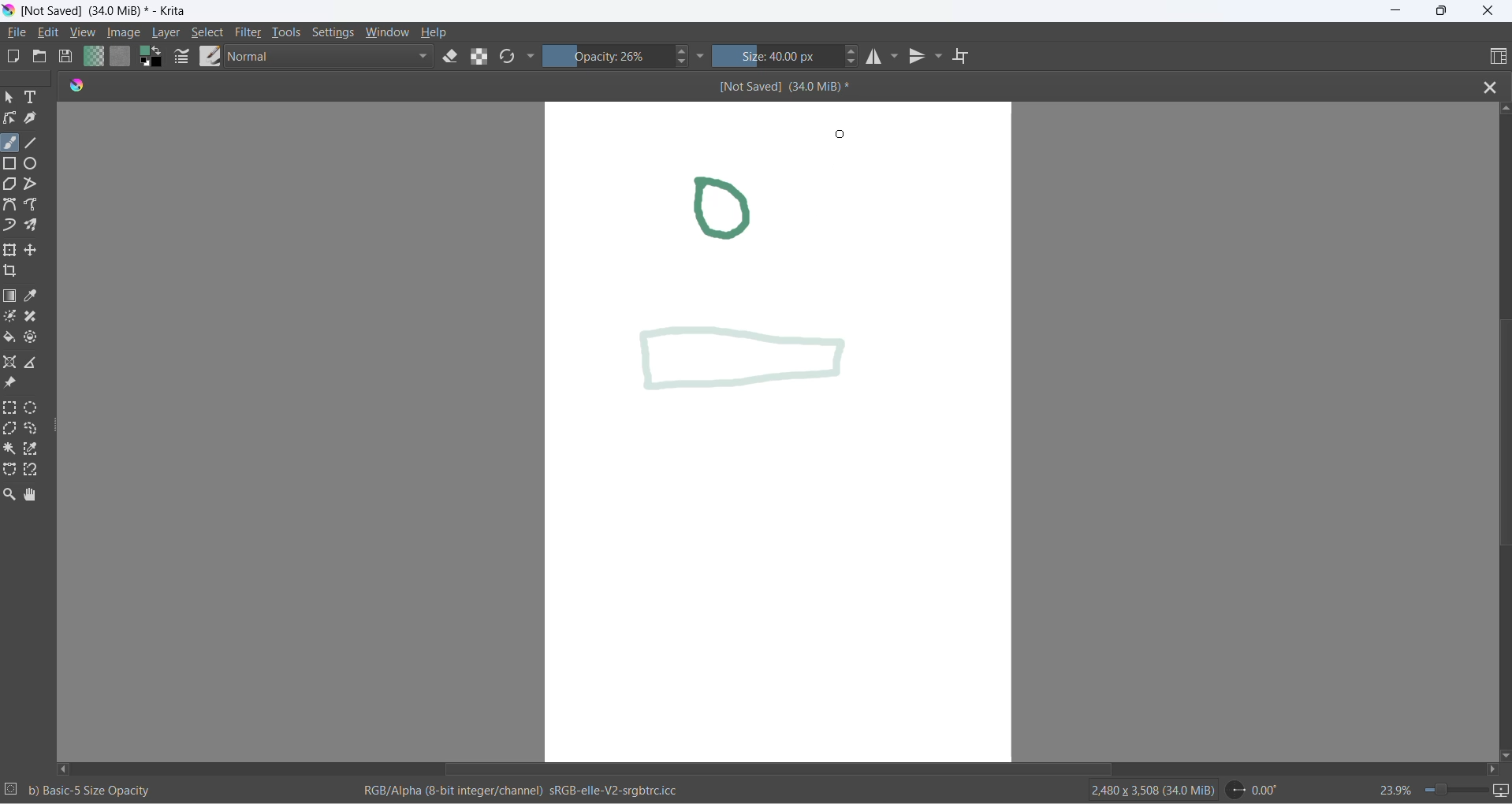 The height and width of the screenshot is (804, 1512). I want to click on Bezier tool , so click(10, 206).